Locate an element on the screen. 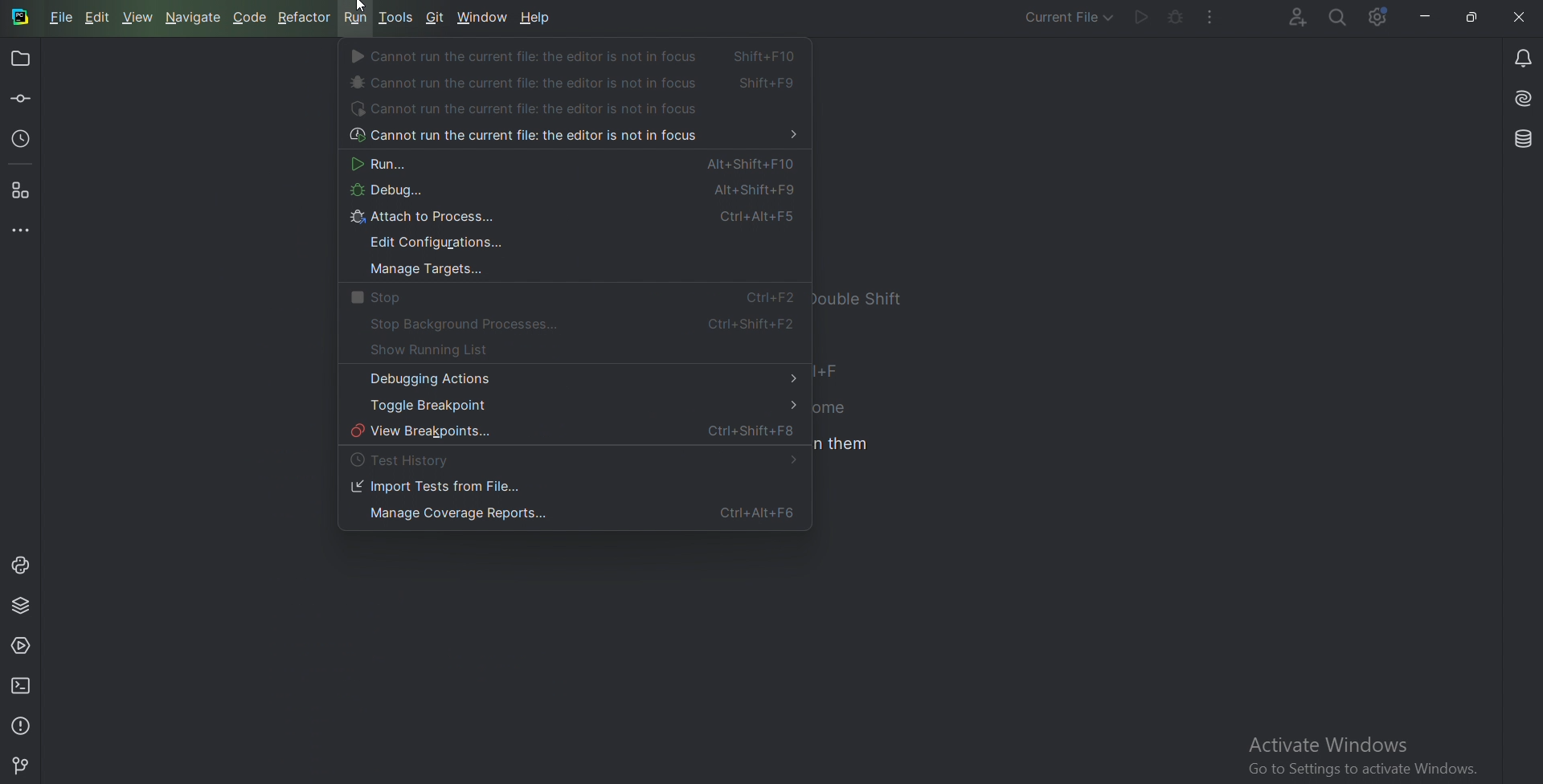 Image resolution: width=1543 pixels, height=784 pixels. Navigate is located at coordinates (195, 18).